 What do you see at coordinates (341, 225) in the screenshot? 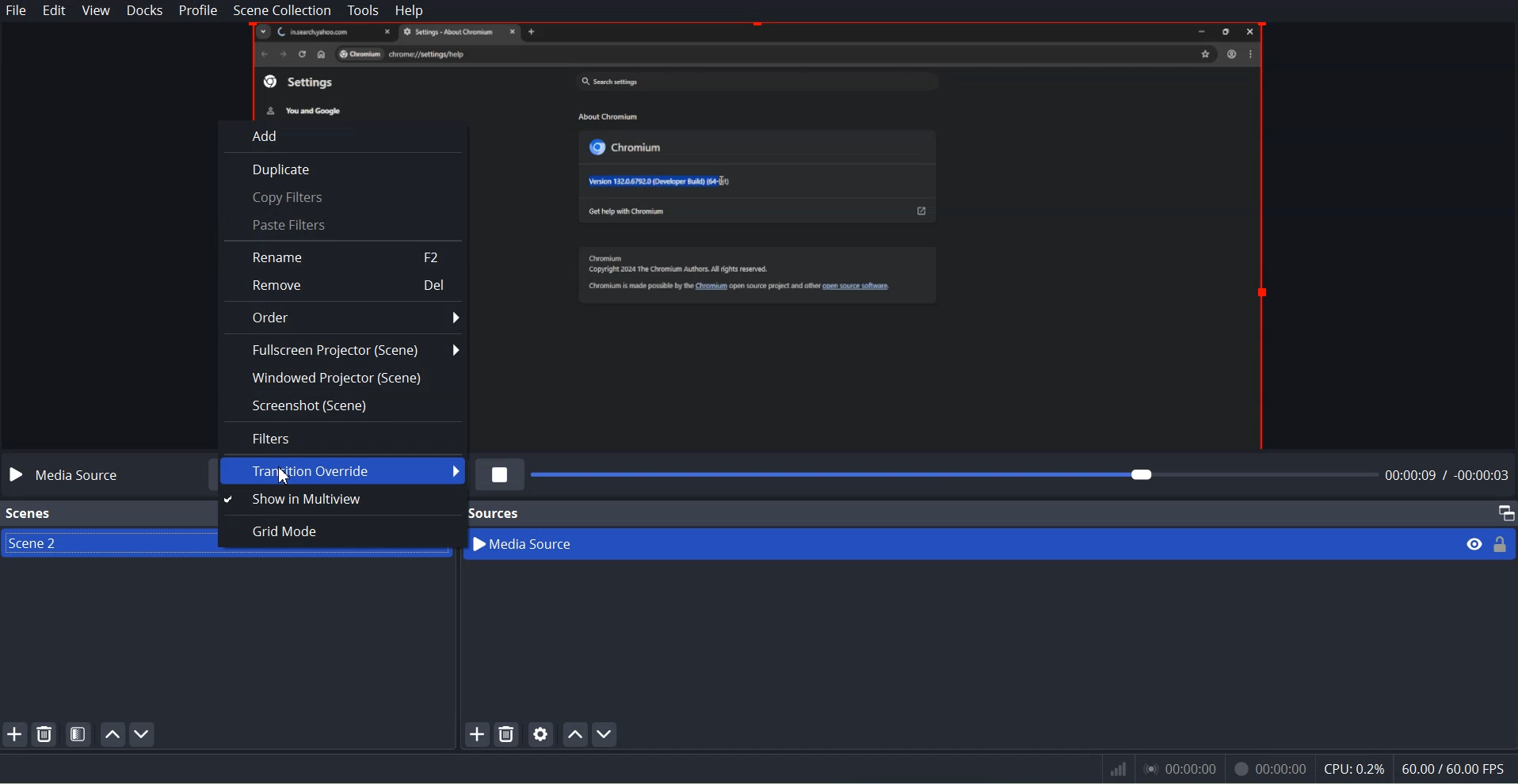
I see `Paste Filters` at bounding box center [341, 225].